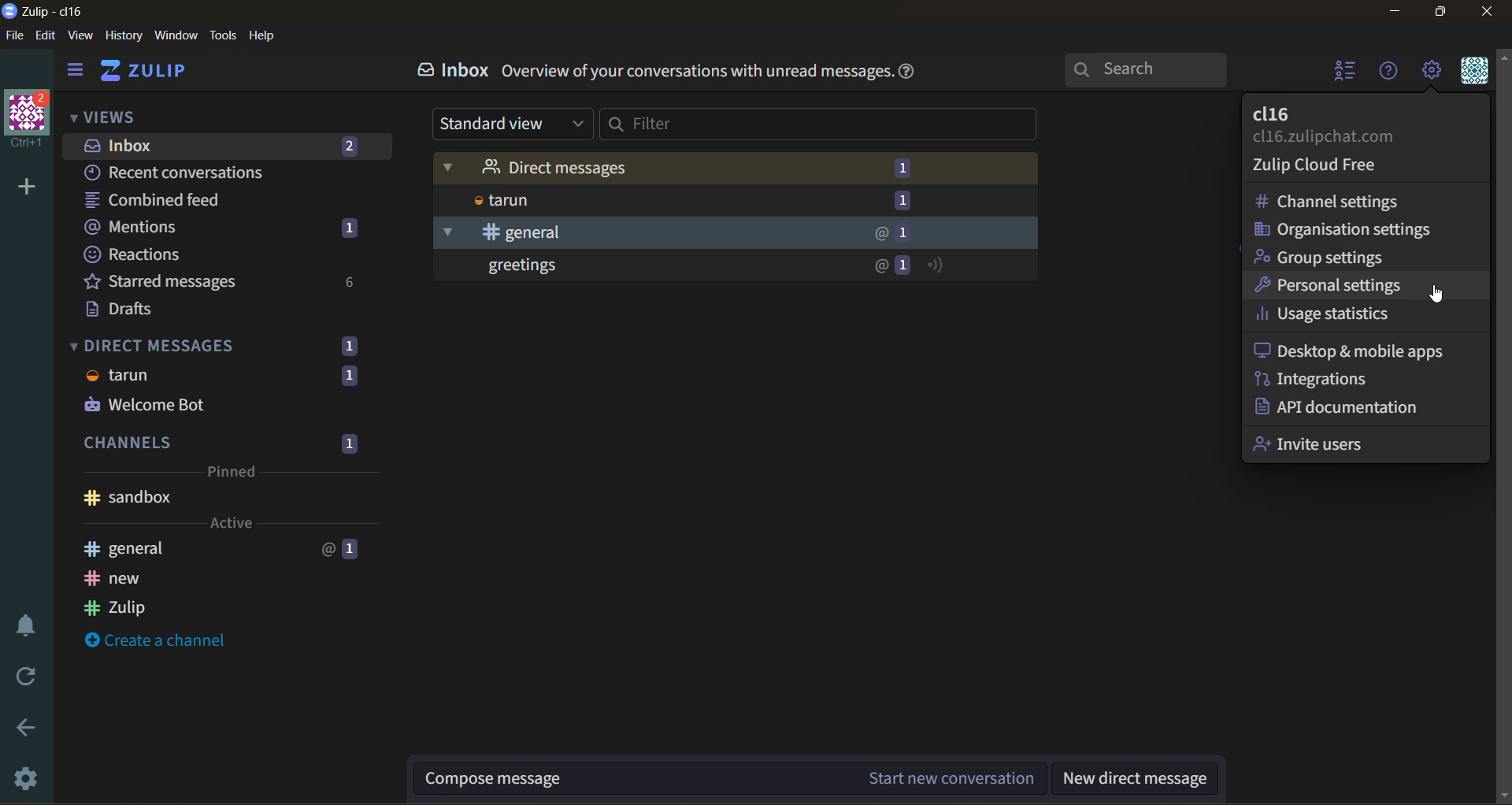  I want to click on hide side bar, so click(76, 72).